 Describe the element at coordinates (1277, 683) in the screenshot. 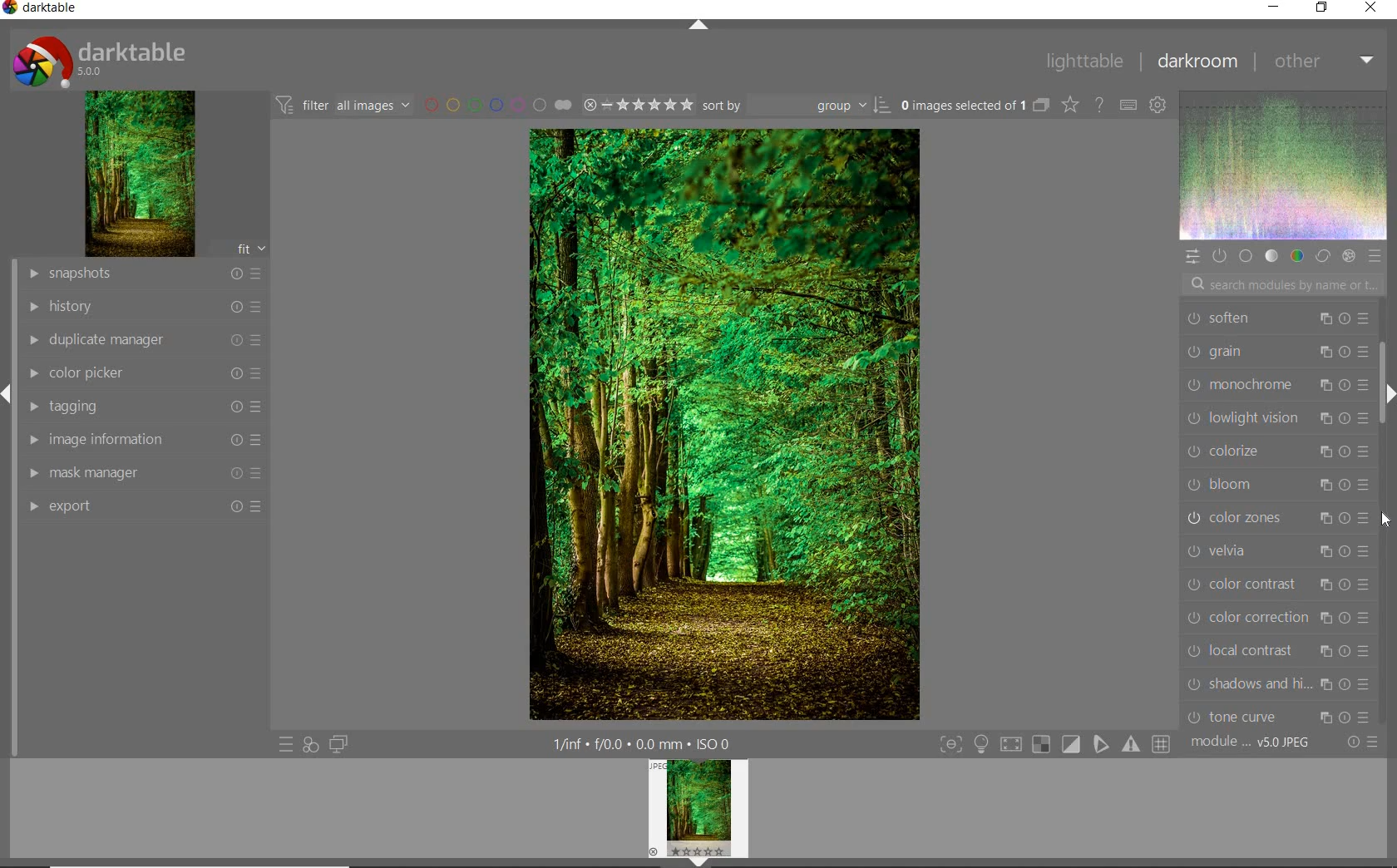

I see `shadows and hi...` at that location.